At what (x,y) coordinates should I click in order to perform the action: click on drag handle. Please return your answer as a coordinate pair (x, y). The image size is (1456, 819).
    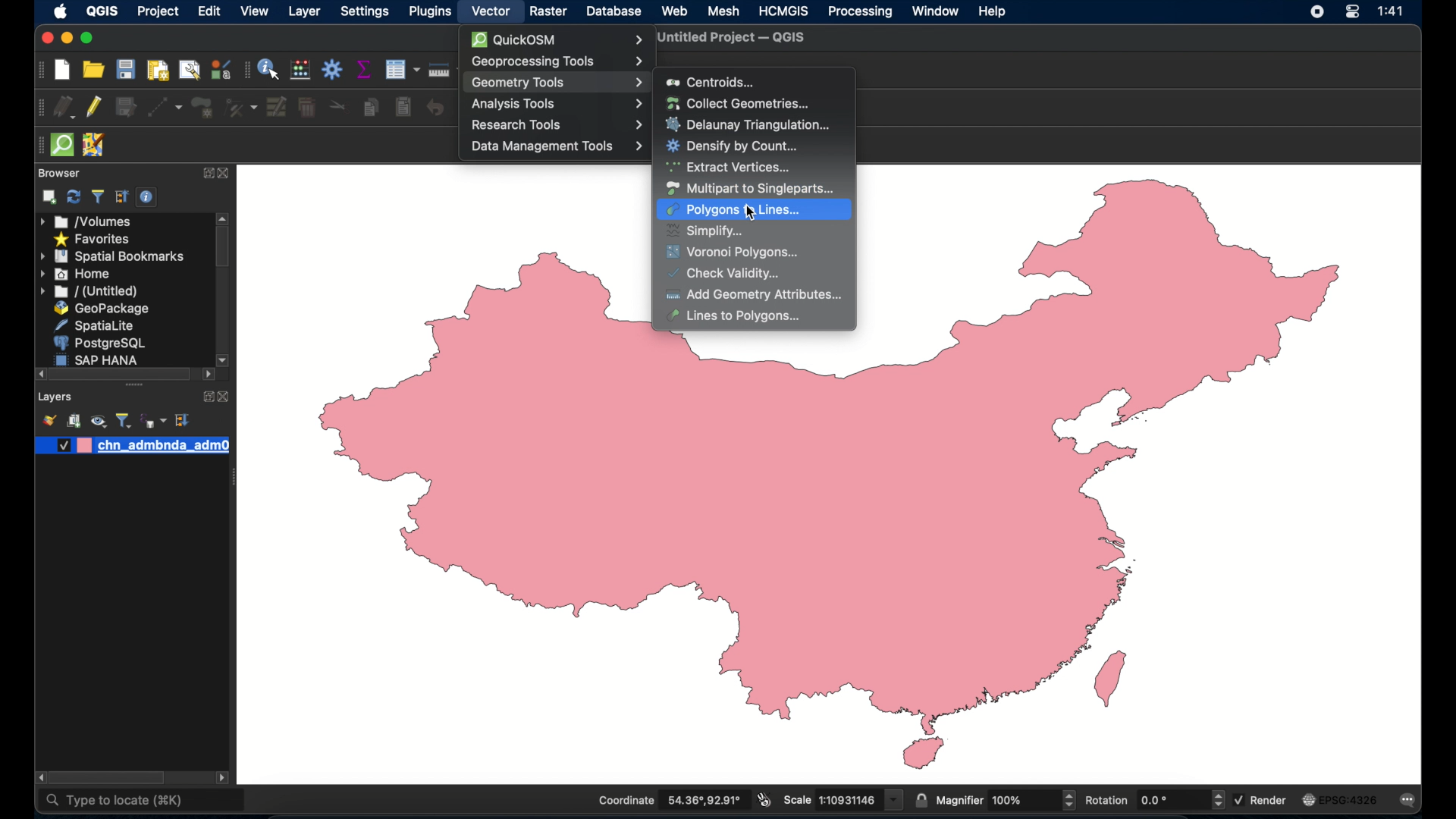
    Looking at the image, I should click on (233, 479).